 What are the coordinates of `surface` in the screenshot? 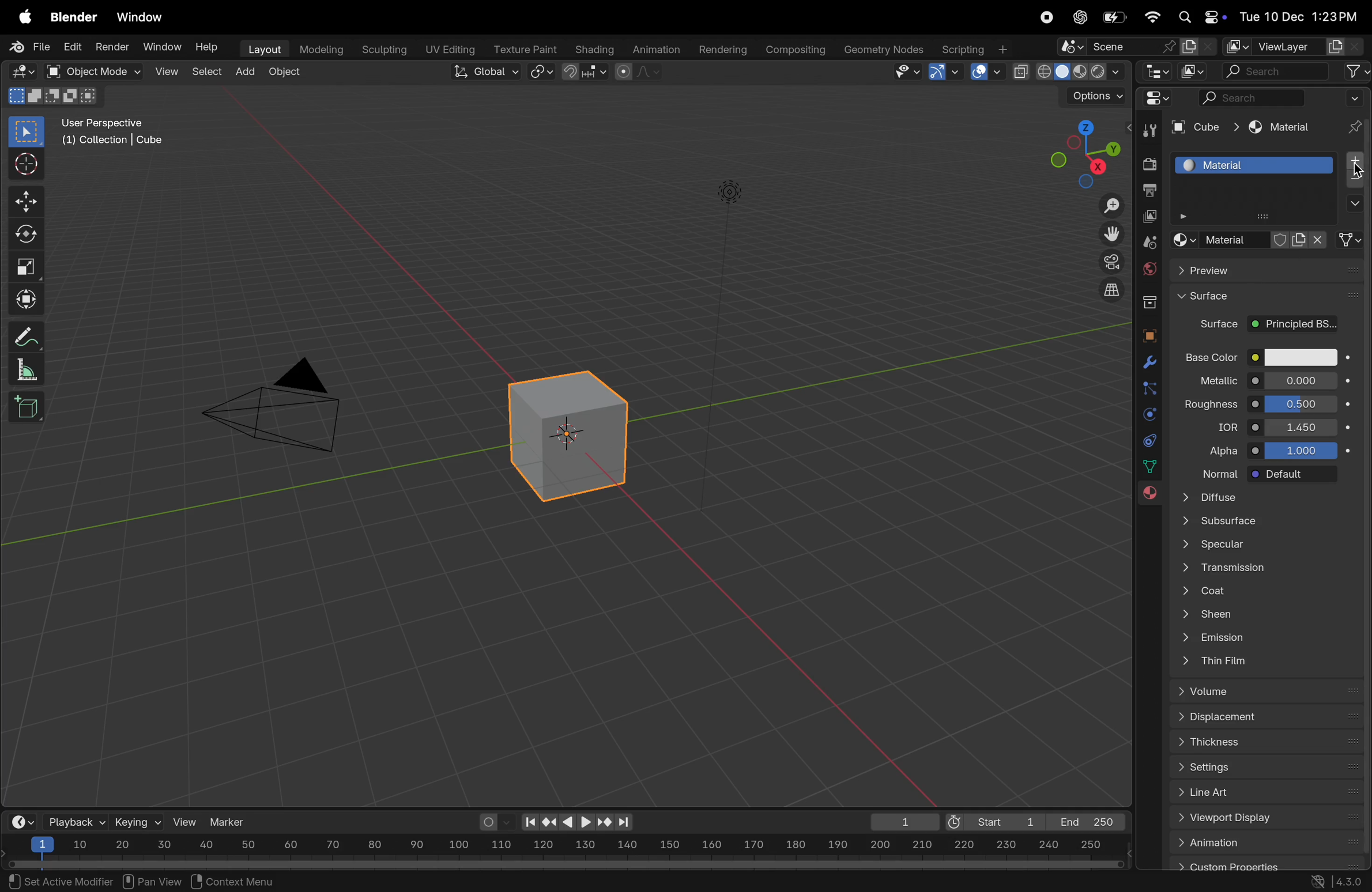 It's located at (1213, 324).